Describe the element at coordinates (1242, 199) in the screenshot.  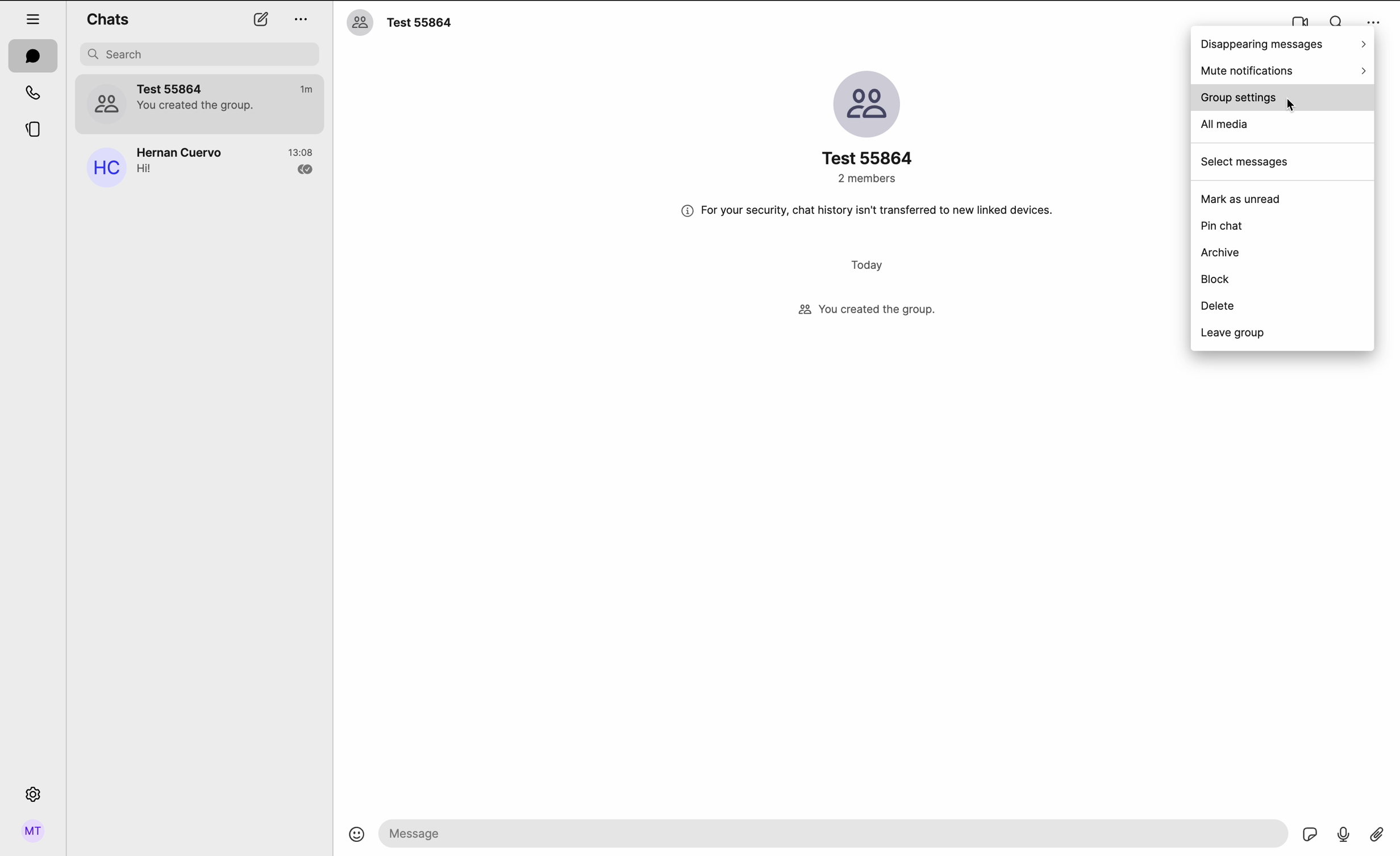
I see `mark as unread` at that location.